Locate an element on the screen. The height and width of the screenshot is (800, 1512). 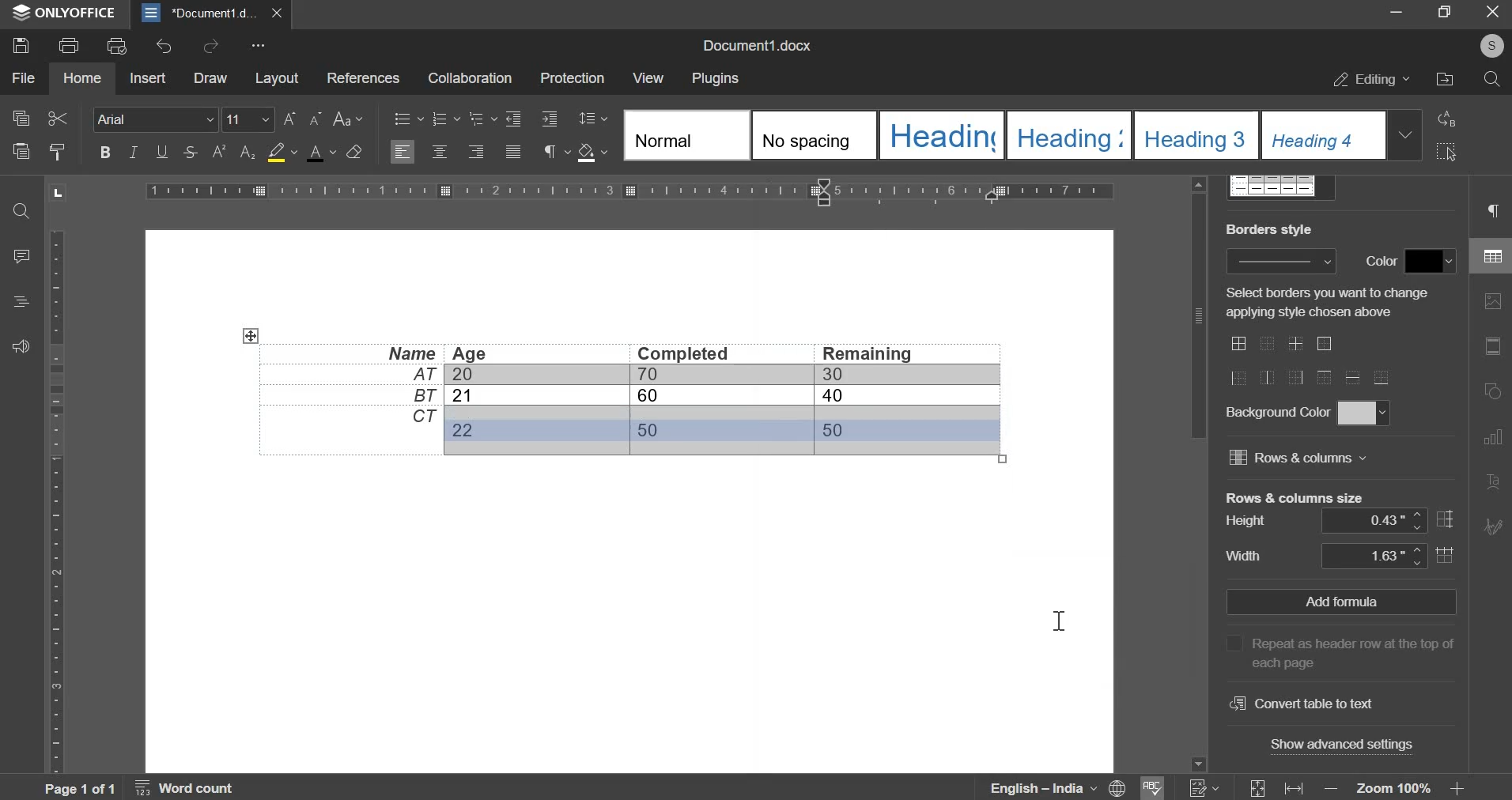
layout is located at coordinates (275, 77).